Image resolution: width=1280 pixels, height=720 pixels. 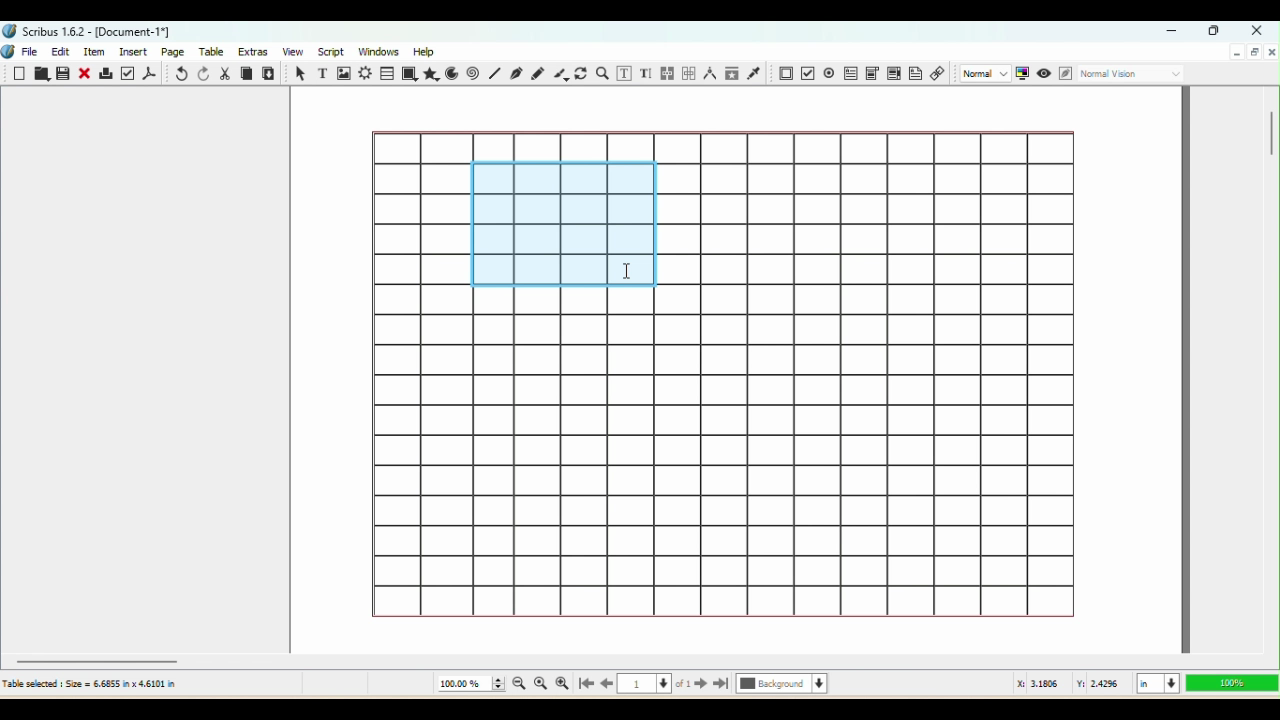 I want to click on Zoom out, so click(x=516, y=686).